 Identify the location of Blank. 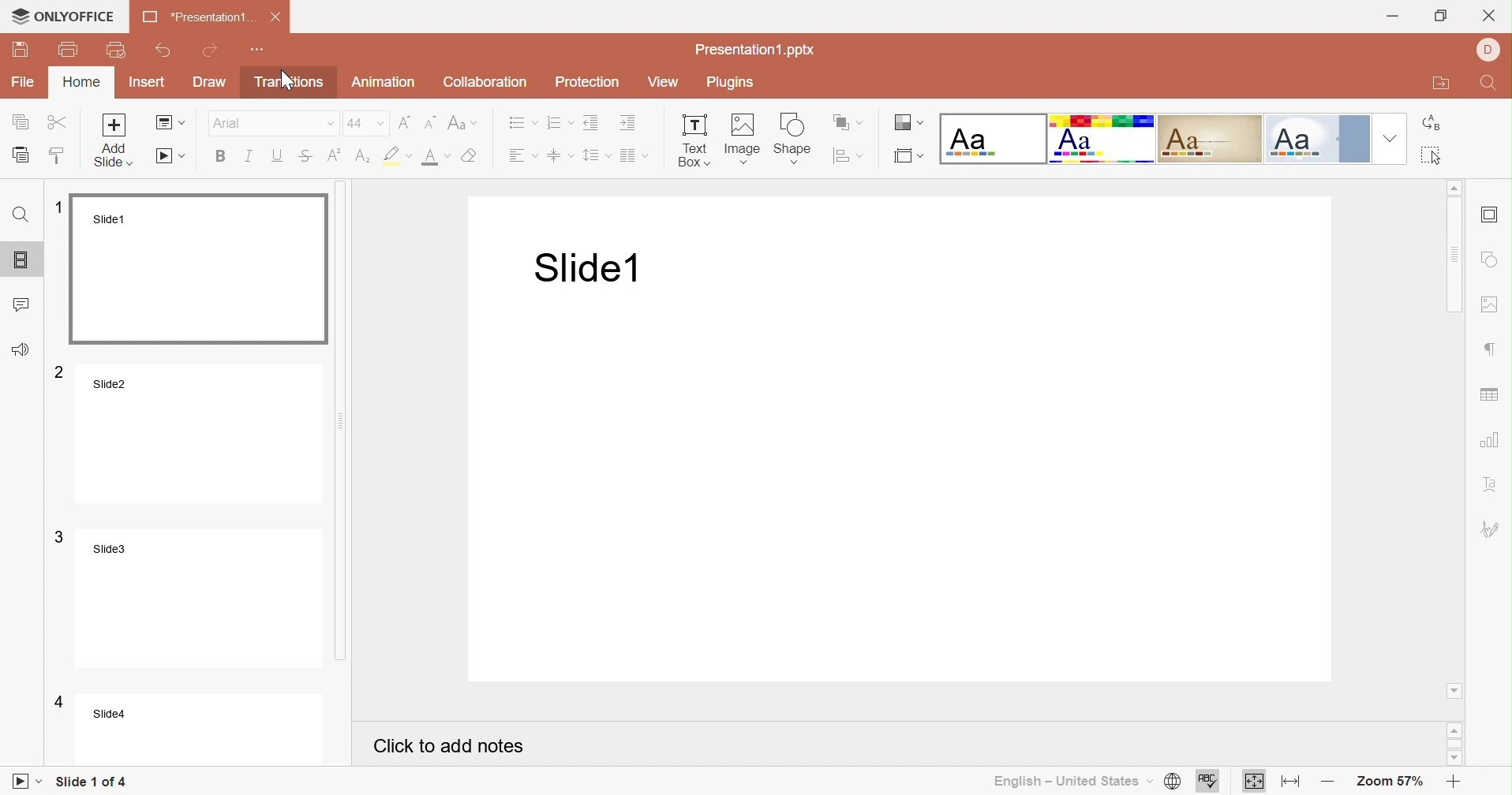
(994, 138).